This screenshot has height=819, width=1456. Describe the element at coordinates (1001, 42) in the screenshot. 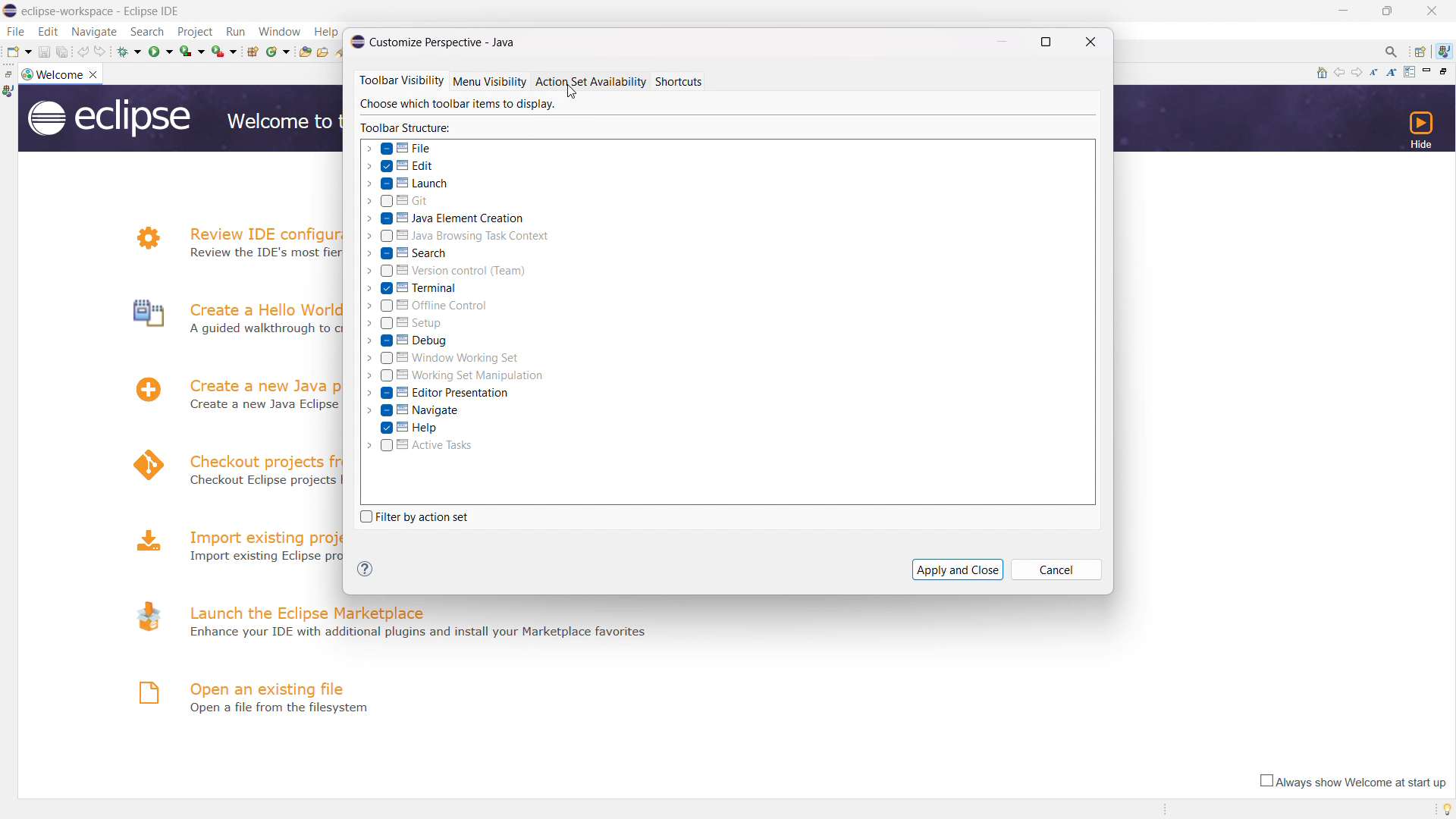

I see `minimize` at that location.